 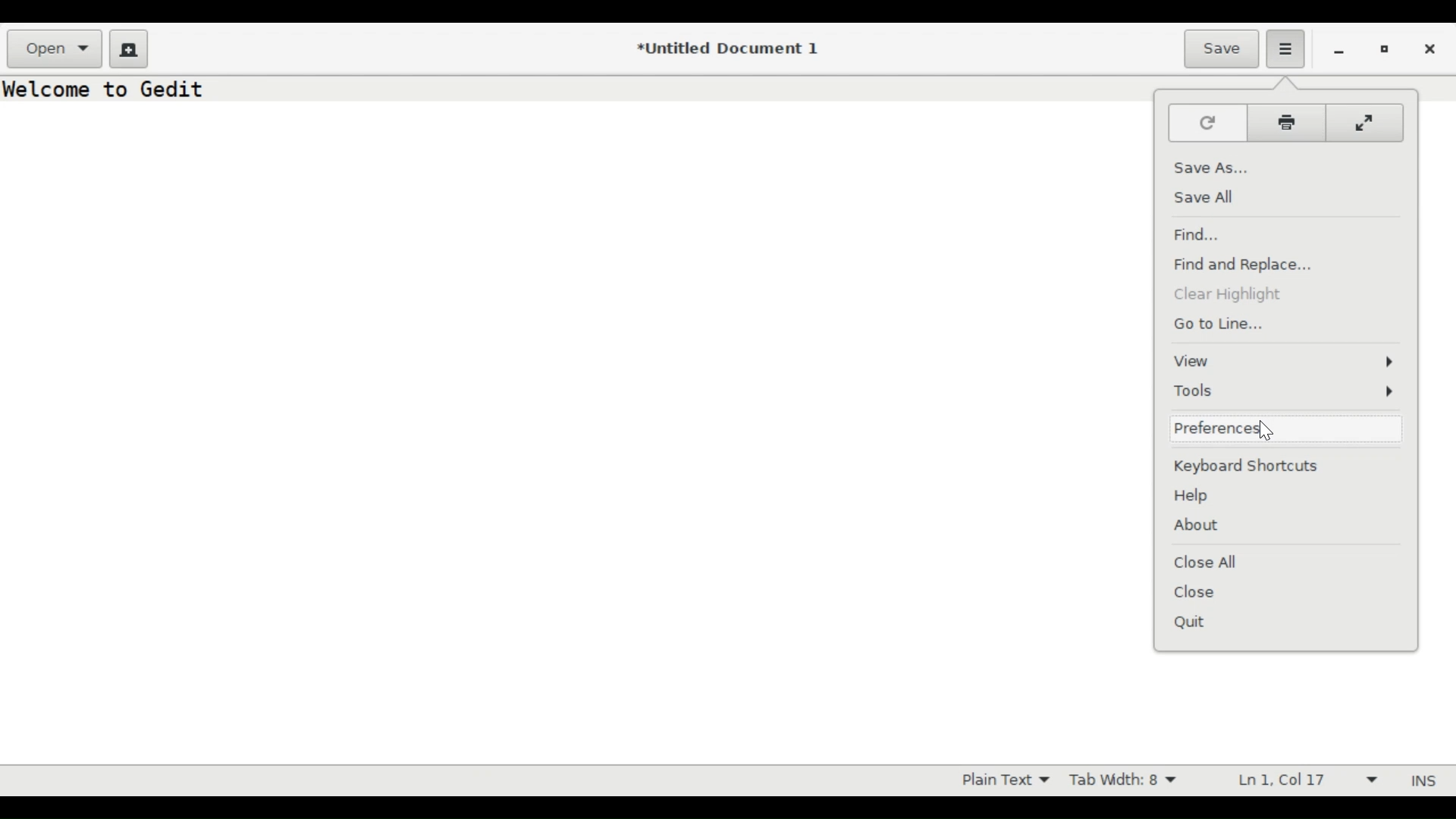 What do you see at coordinates (1222, 50) in the screenshot?
I see `Save` at bounding box center [1222, 50].